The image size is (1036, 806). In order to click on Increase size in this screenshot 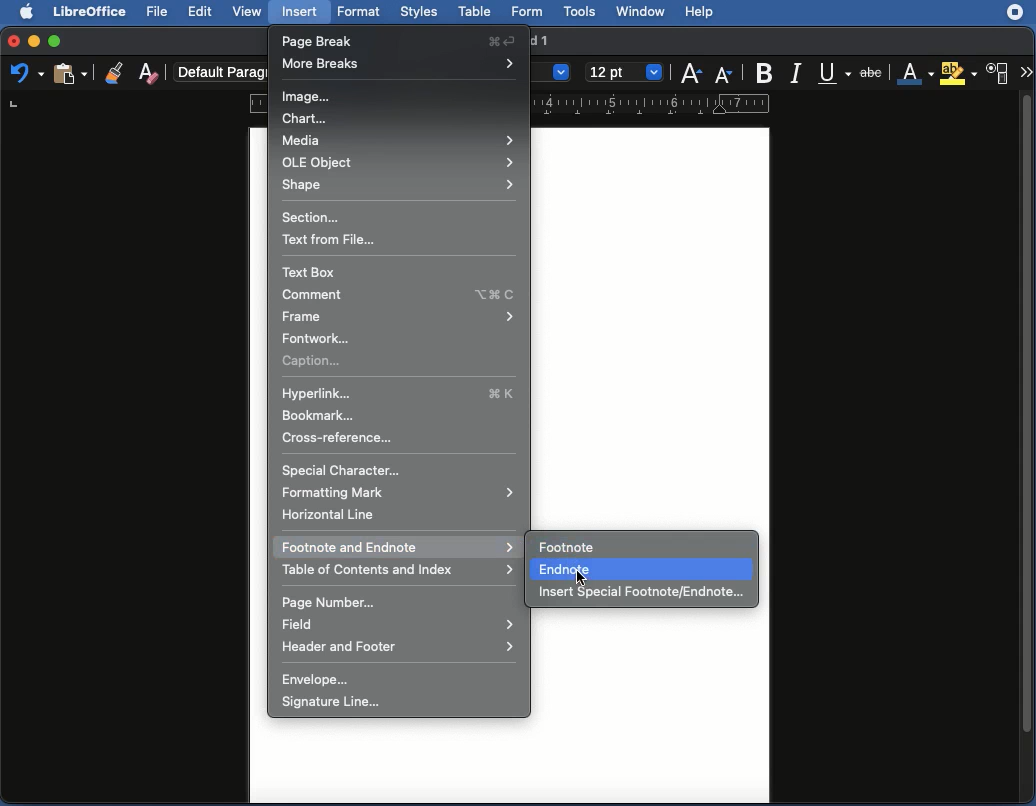, I will do `click(694, 70)`.